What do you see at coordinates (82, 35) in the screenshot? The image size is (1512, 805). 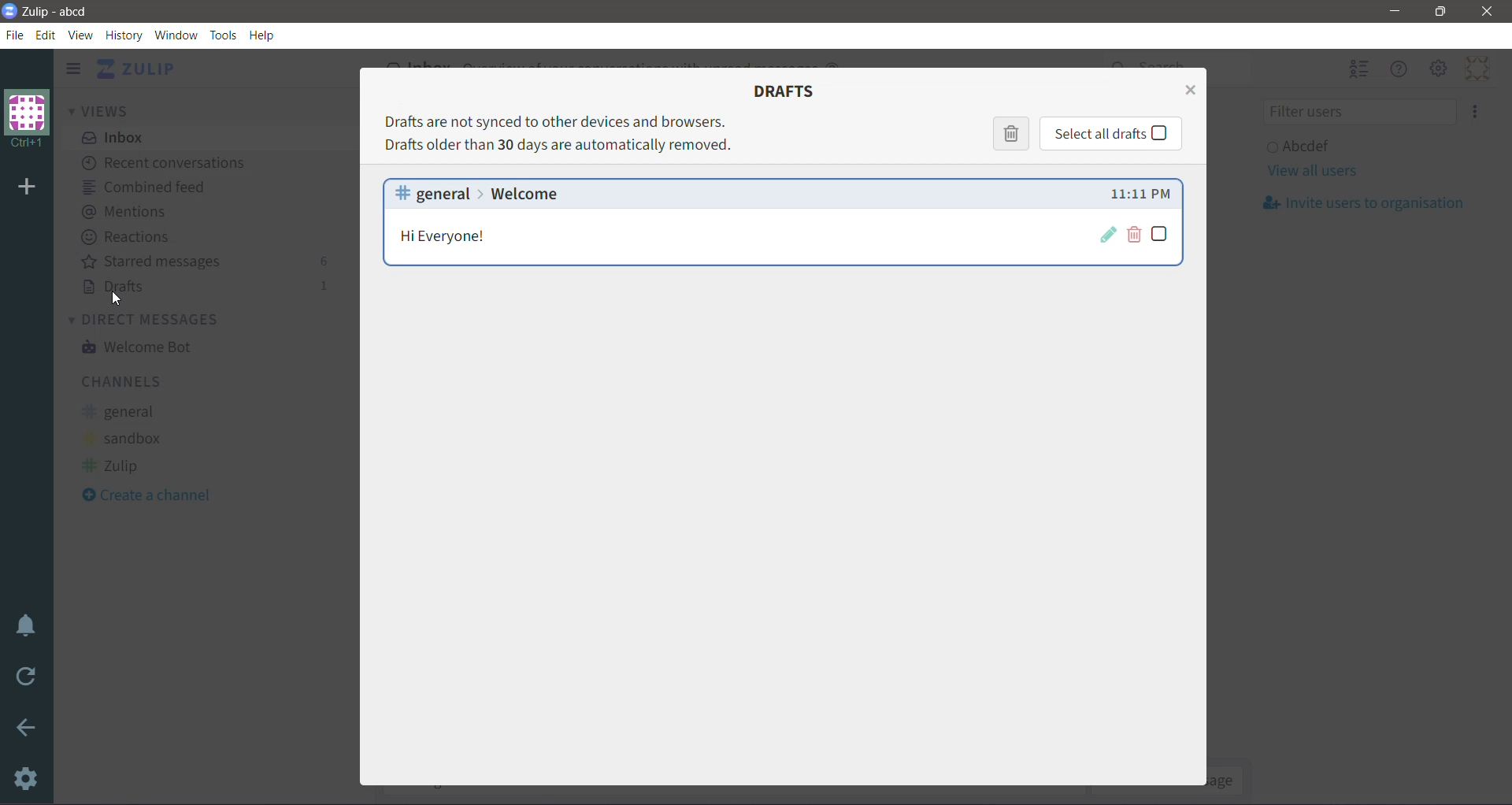 I see `View` at bounding box center [82, 35].